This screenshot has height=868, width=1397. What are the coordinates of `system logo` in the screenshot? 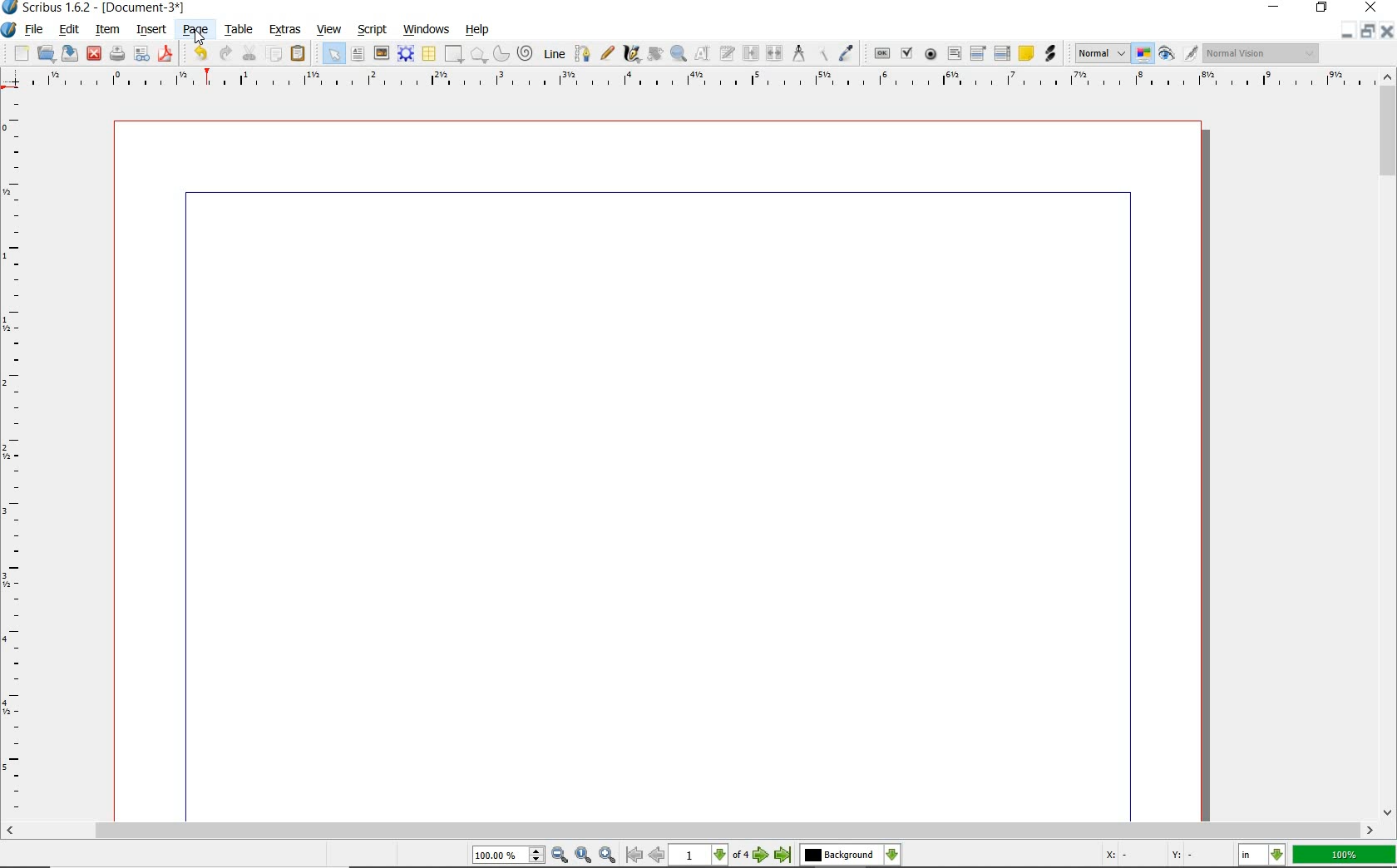 It's located at (9, 31).